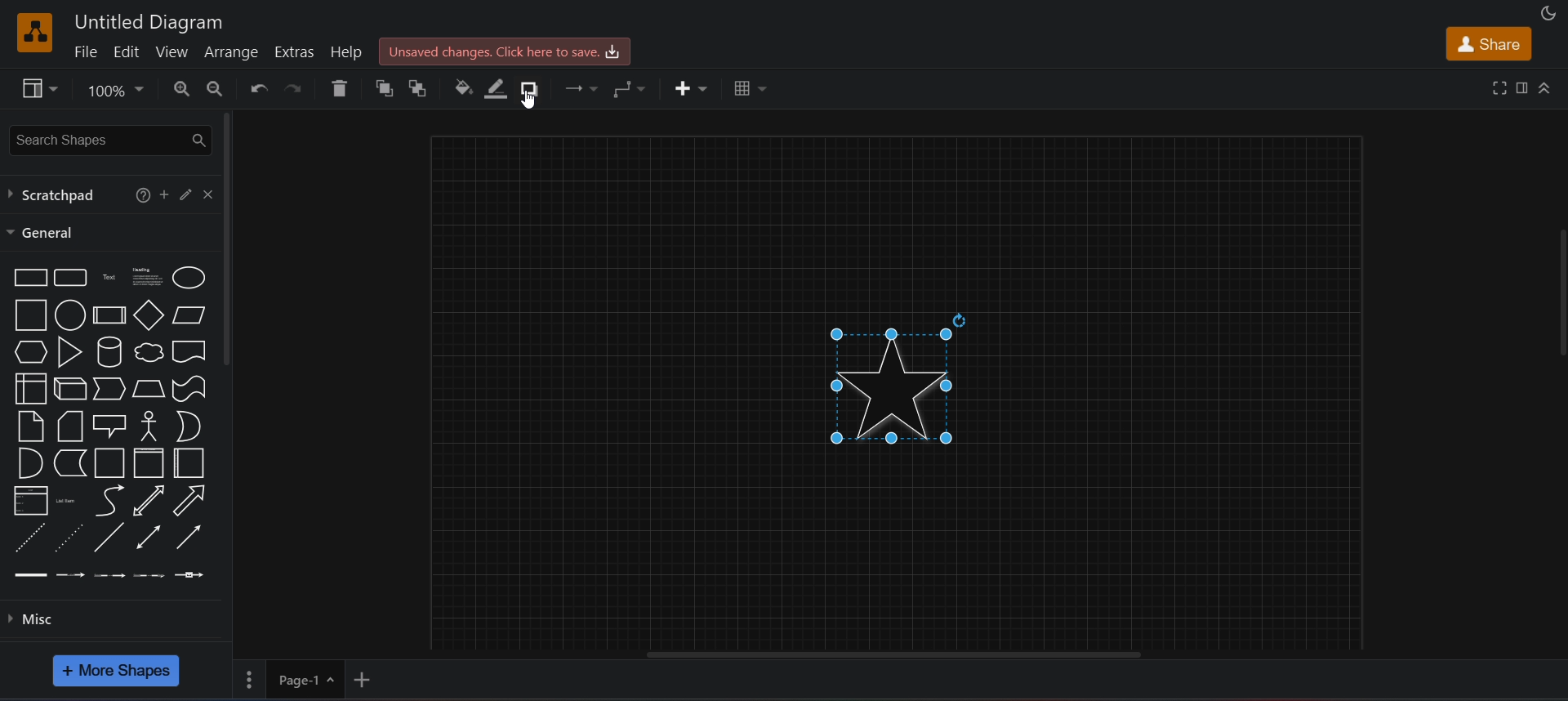 The width and height of the screenshot is (1568, 701). What do you see at coordinates (70, 576) in the screenshot?
I see `Connector with label` at bounding box center [70, 576].